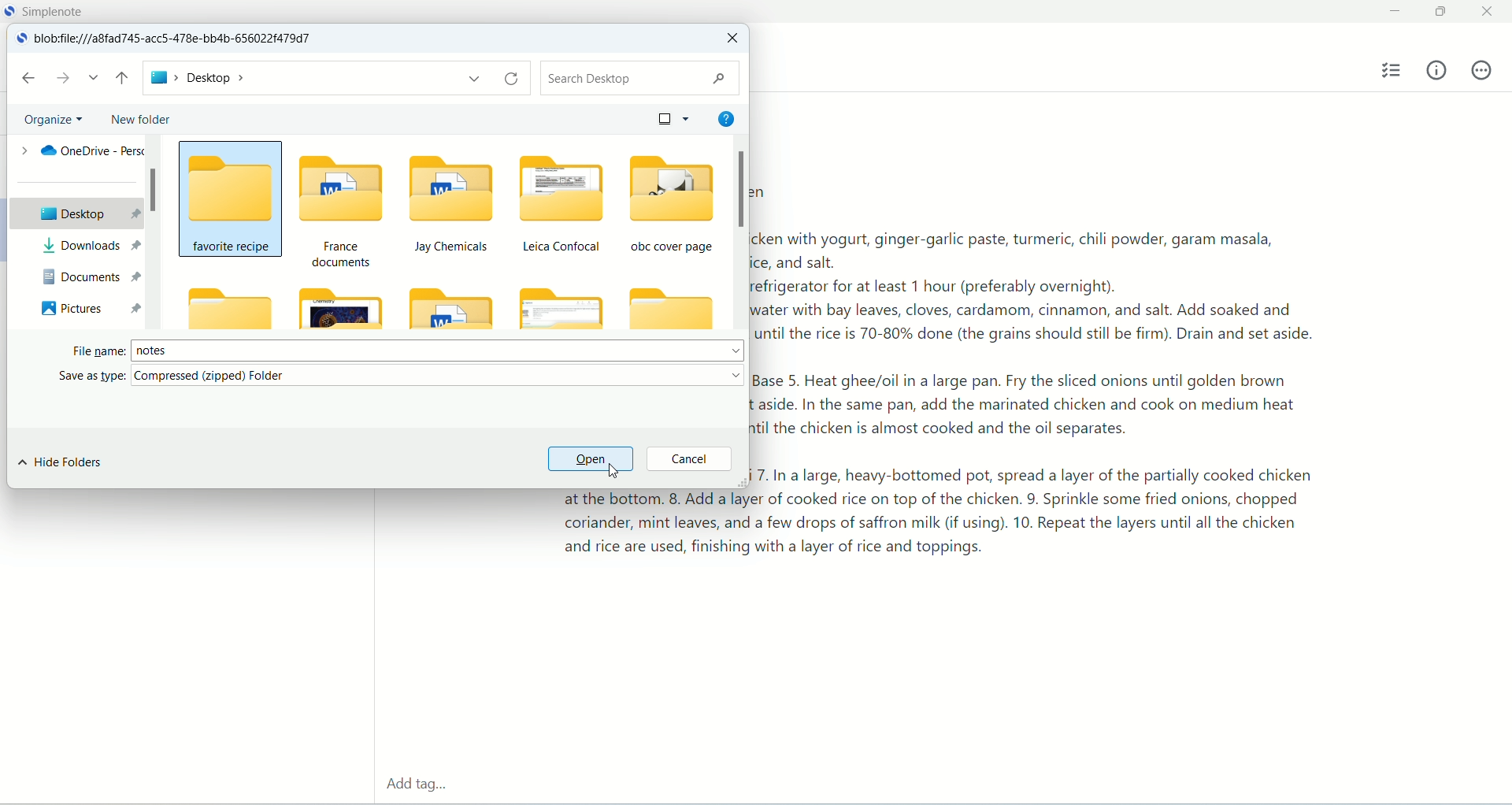 Image resolution: width=1512 pixels, height=805 pixels. I want to click on file name, so click(408, 348).